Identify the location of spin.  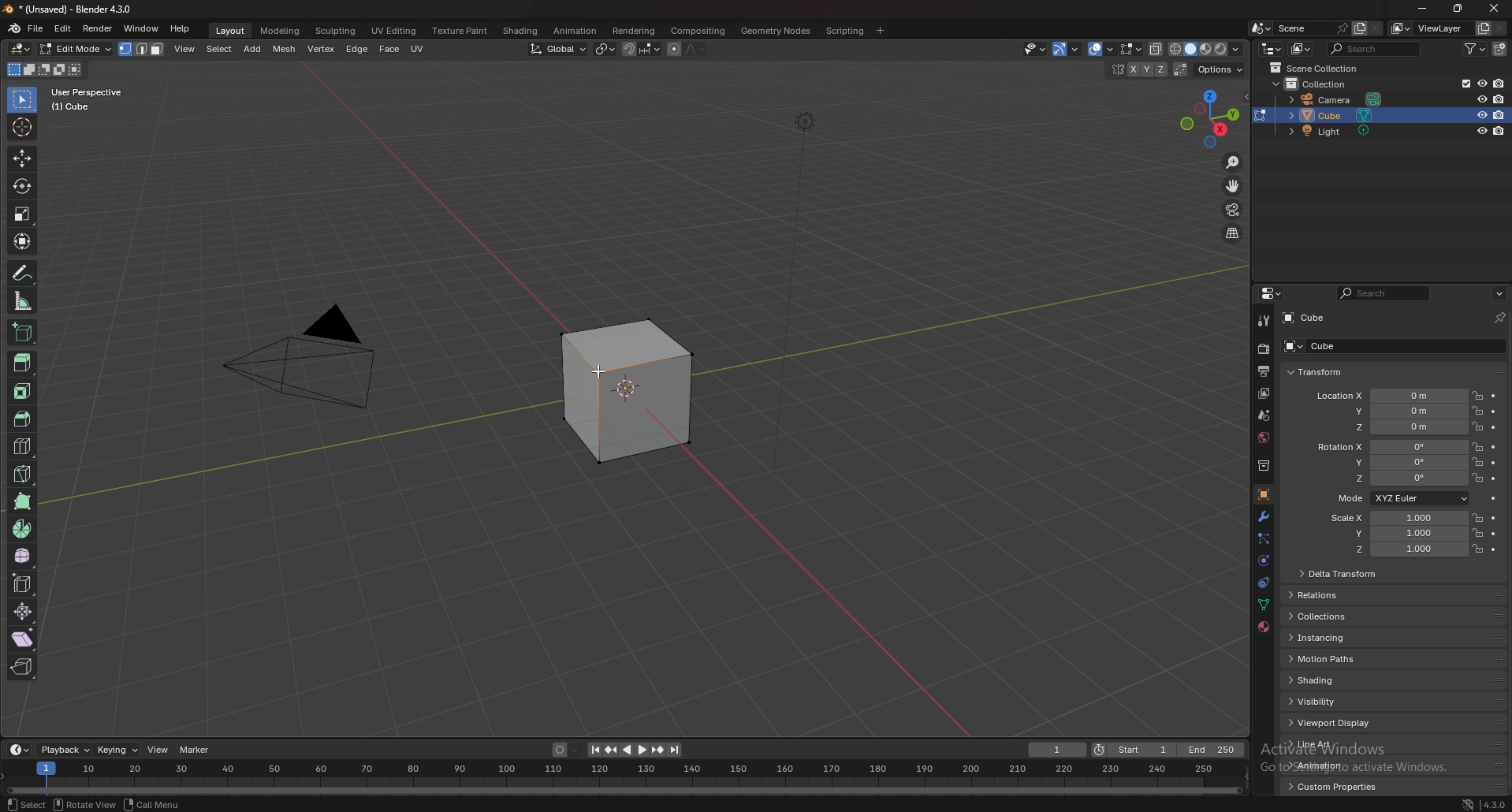
(21, 531).